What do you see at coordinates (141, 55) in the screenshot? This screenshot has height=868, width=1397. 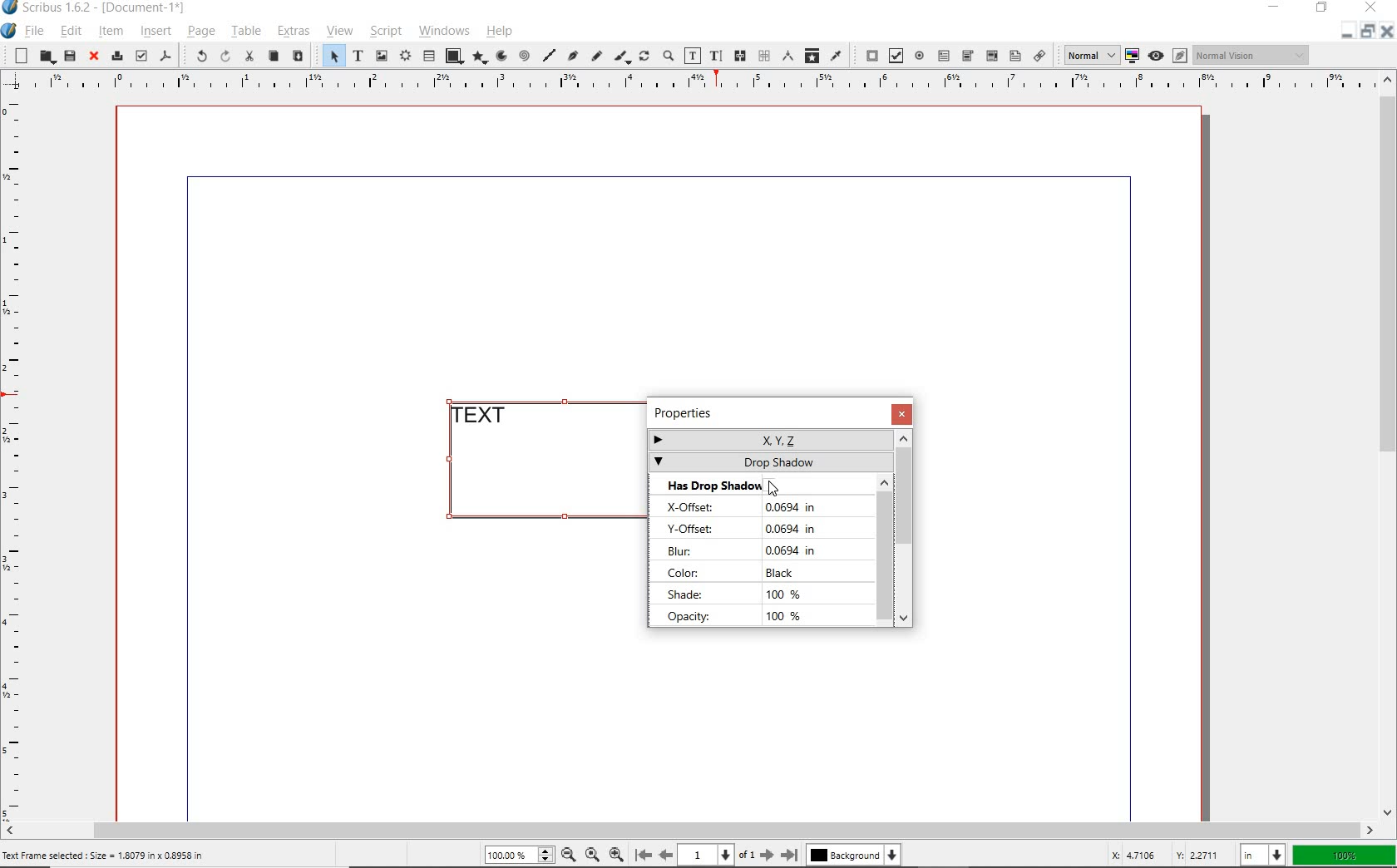 I see `preflight verifier` at bounding box center [141, 55].